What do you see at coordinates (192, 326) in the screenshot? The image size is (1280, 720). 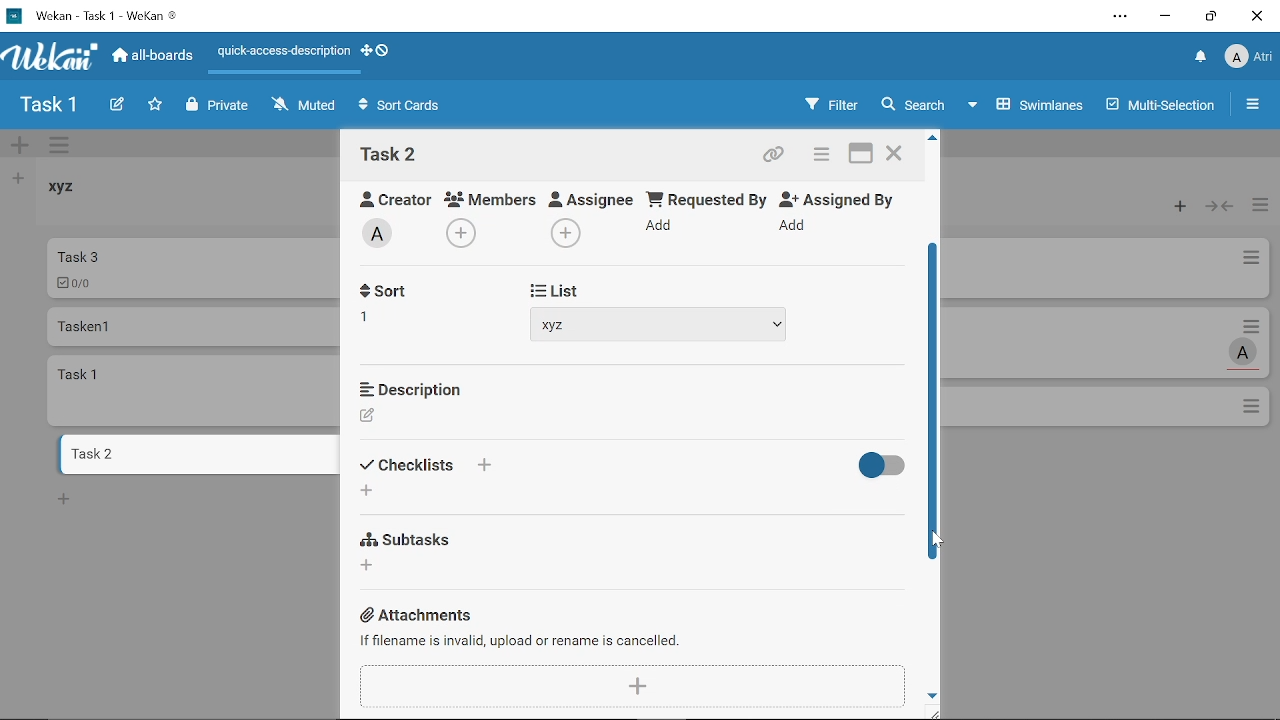 I see `Card named "Tasken 1"` at bounding box center [192, 326].